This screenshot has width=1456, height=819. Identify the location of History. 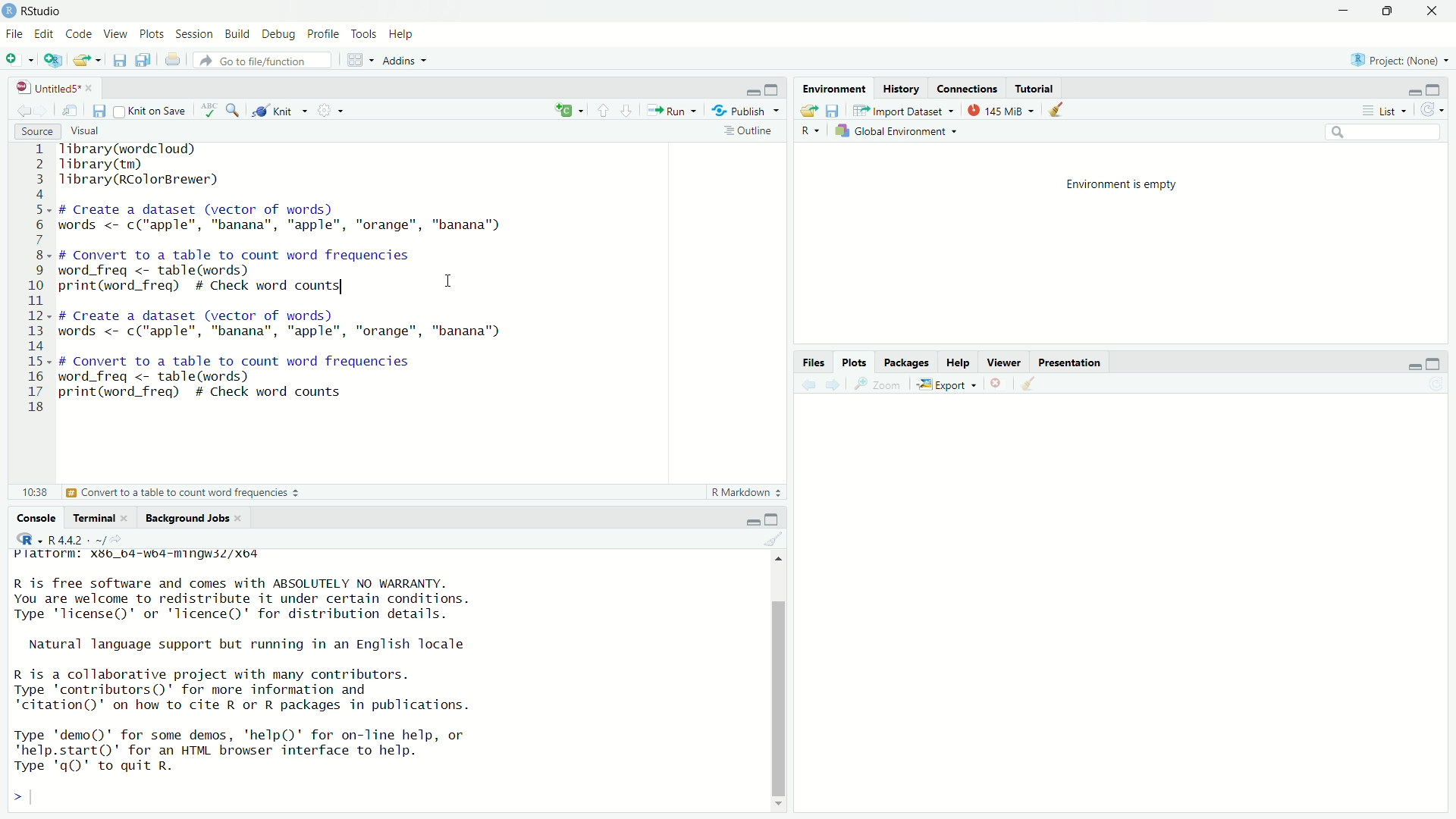
(902, 90).